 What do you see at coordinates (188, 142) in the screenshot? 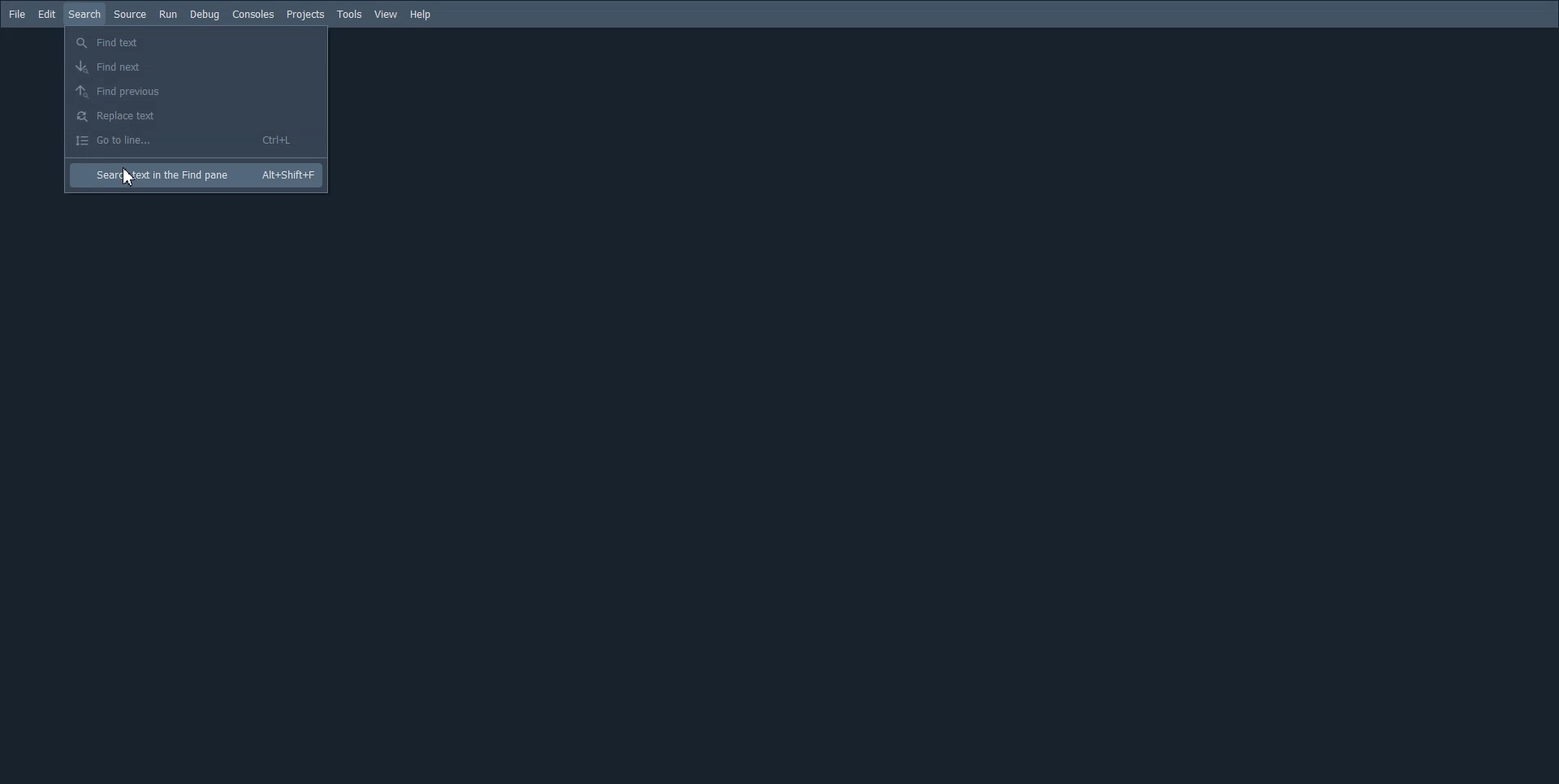
I see `Go to line` at bounding box center [188, 142].